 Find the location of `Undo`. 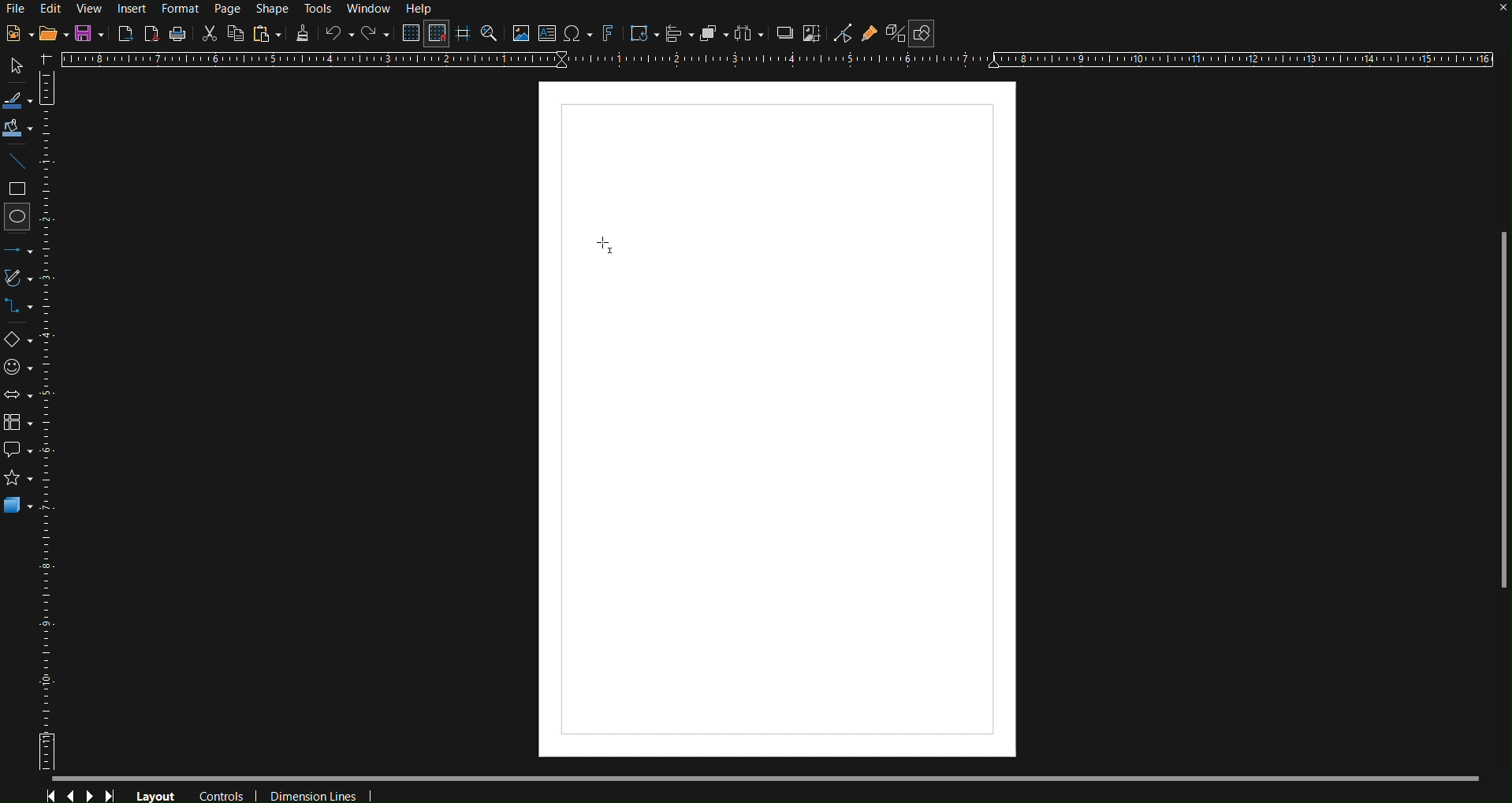

Undo is located at coordinates (339, 35).